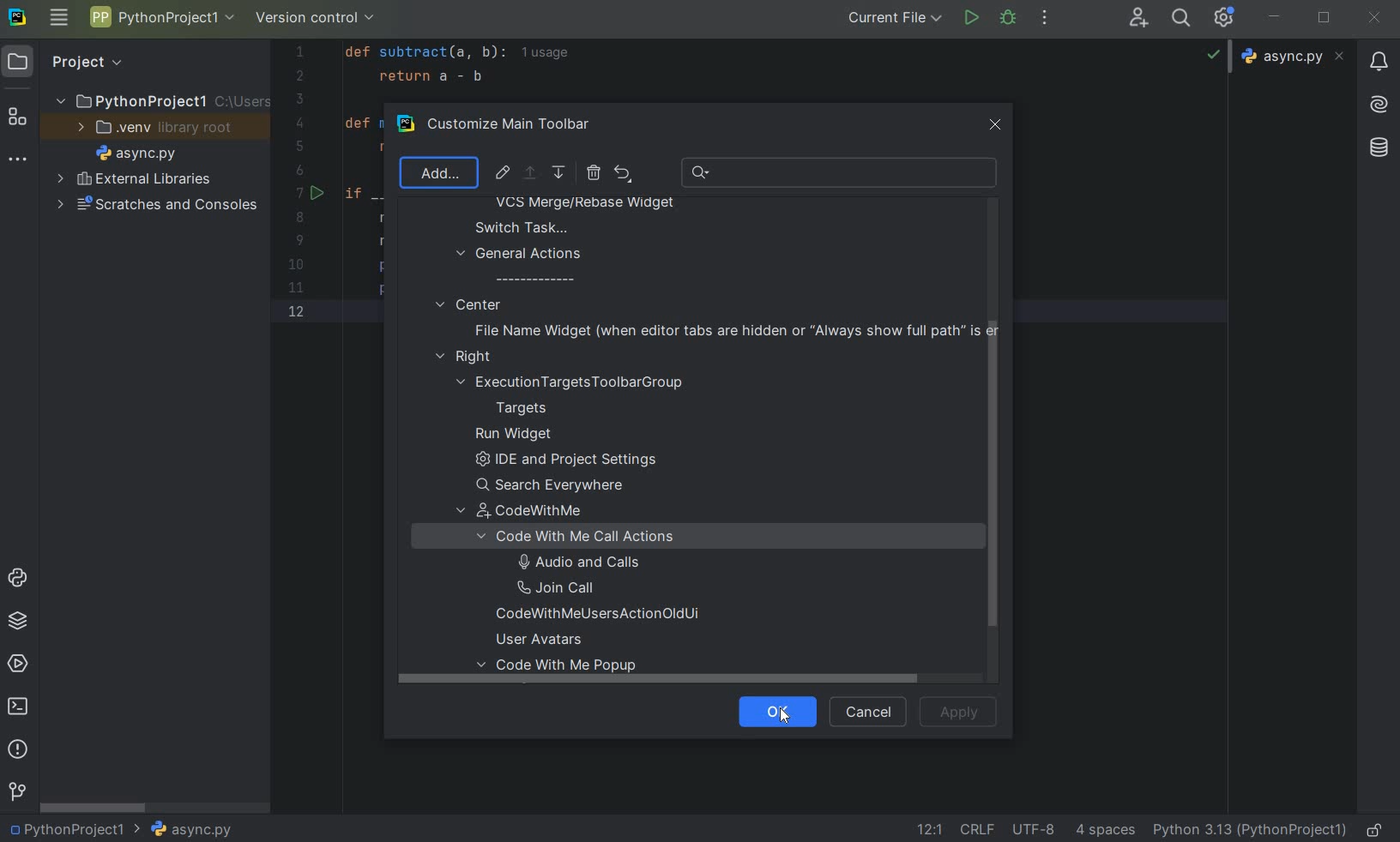 This screenshot has width=1400, height=842. What do you see at coordinates (19, 18) in the screenshot?
I see `SYSTEM LOGO` at bounding box center [19, 18].